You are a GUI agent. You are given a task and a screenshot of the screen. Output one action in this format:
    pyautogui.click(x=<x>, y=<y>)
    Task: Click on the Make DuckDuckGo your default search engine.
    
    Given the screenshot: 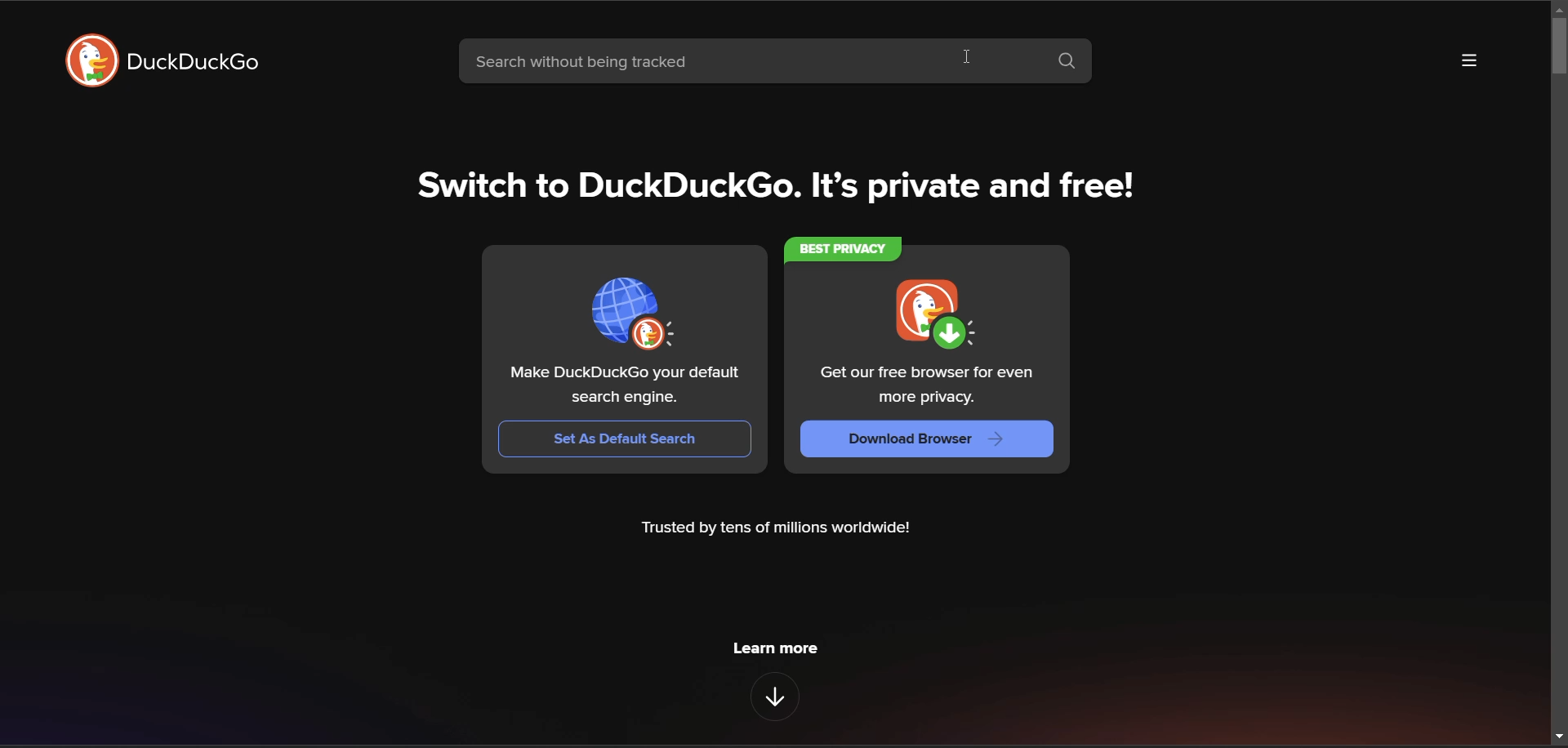 What is the action you would take?
    pyautogui.click(x=621, y=385)
    